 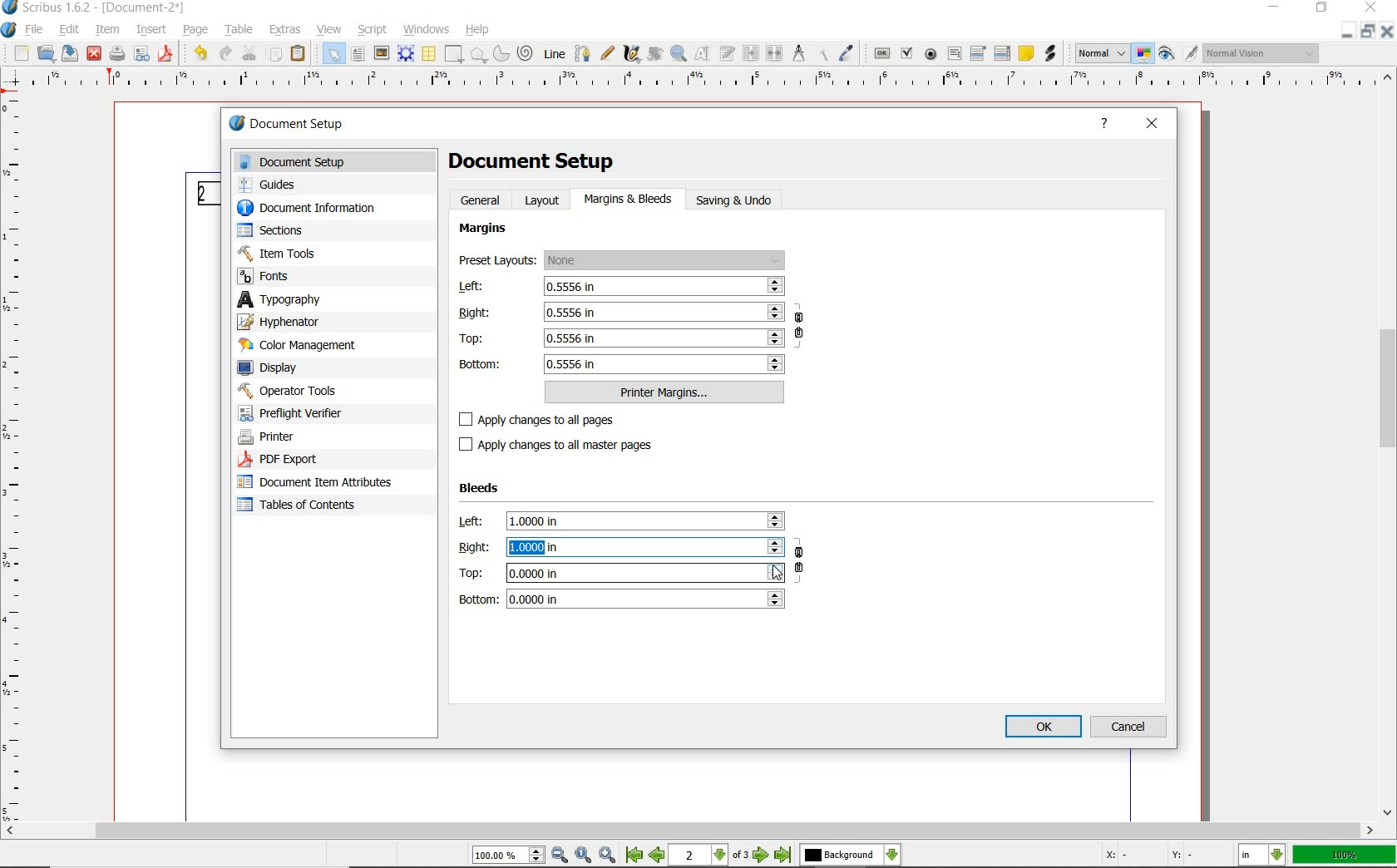 I want to click on typography, so click(x=334, y=301).